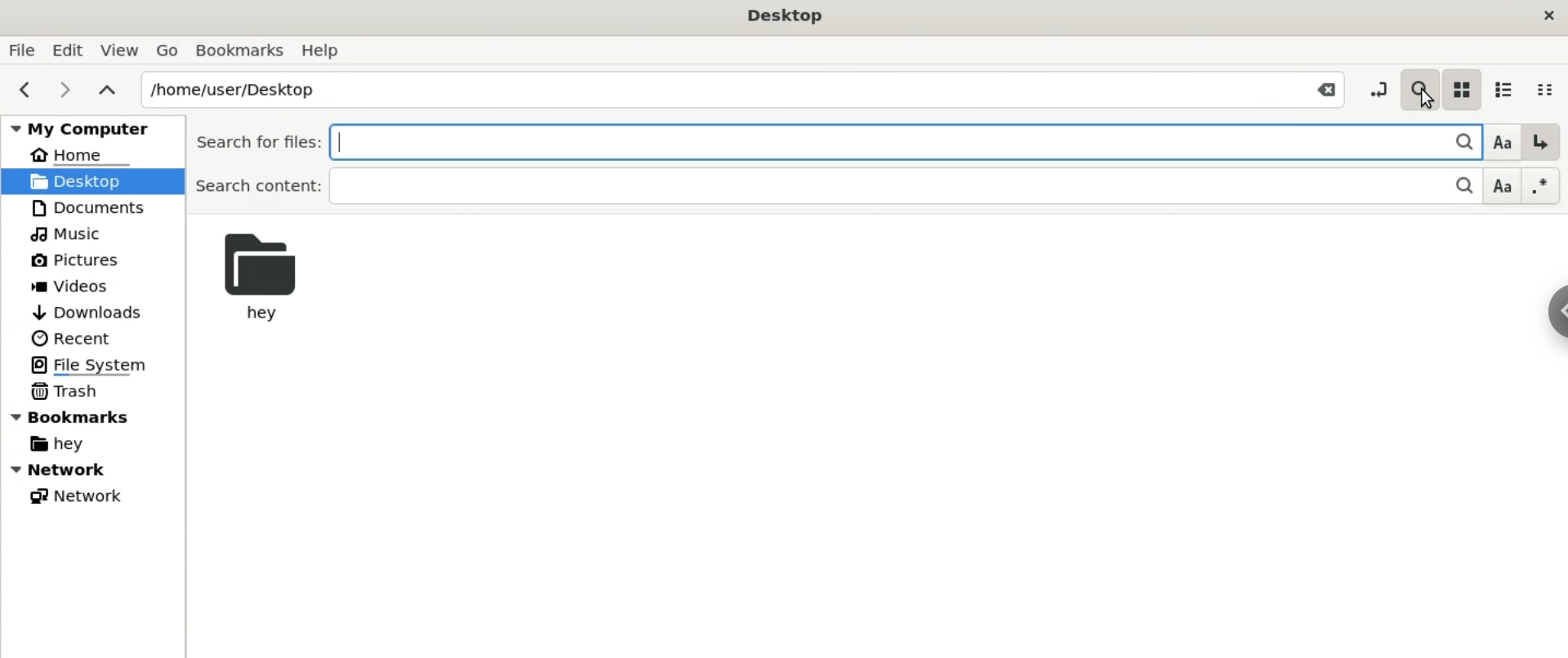  I want to click on Search for files, so click(804, 142).